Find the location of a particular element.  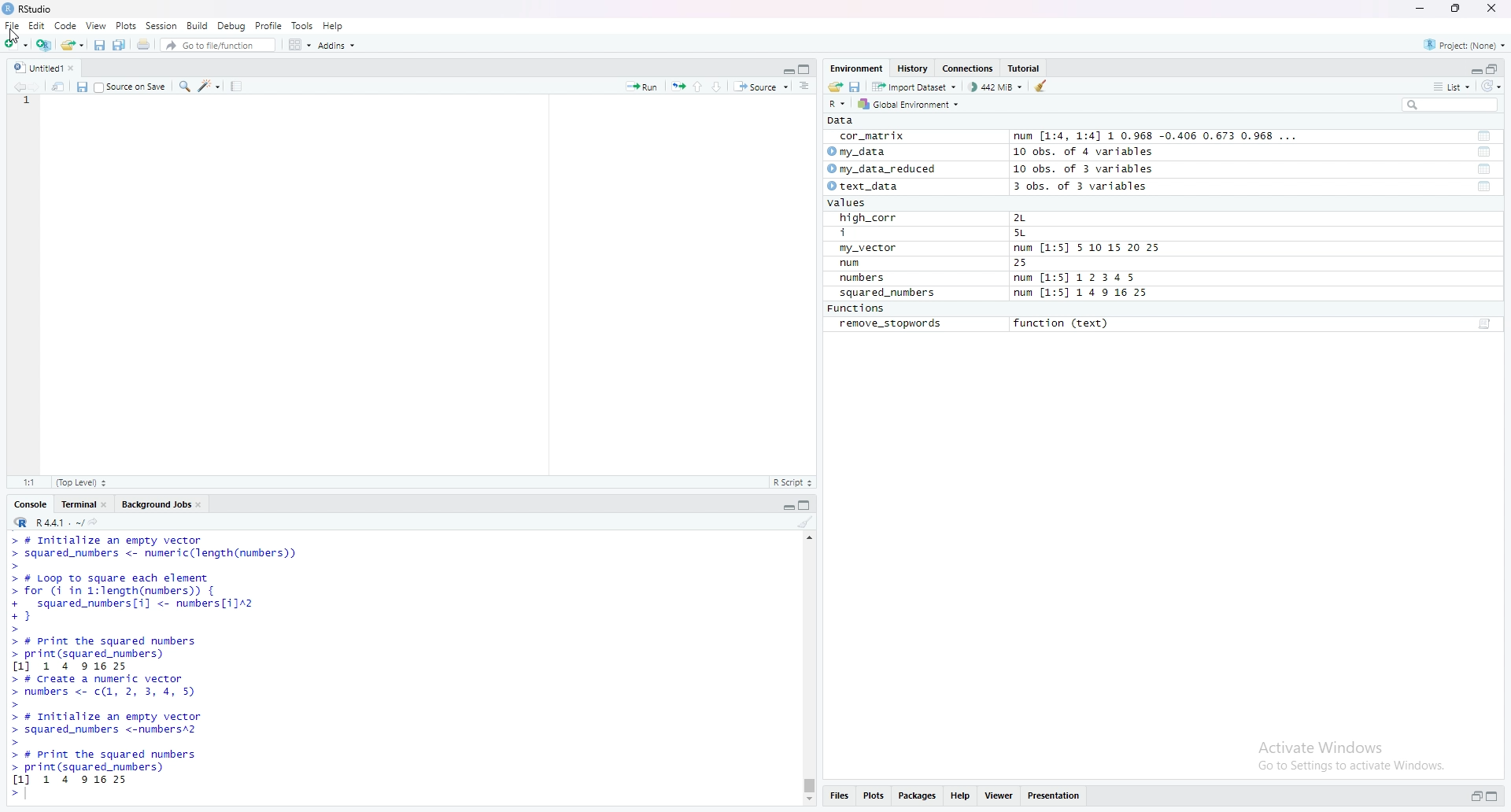

minimize is located at coordinates (1471, 68).